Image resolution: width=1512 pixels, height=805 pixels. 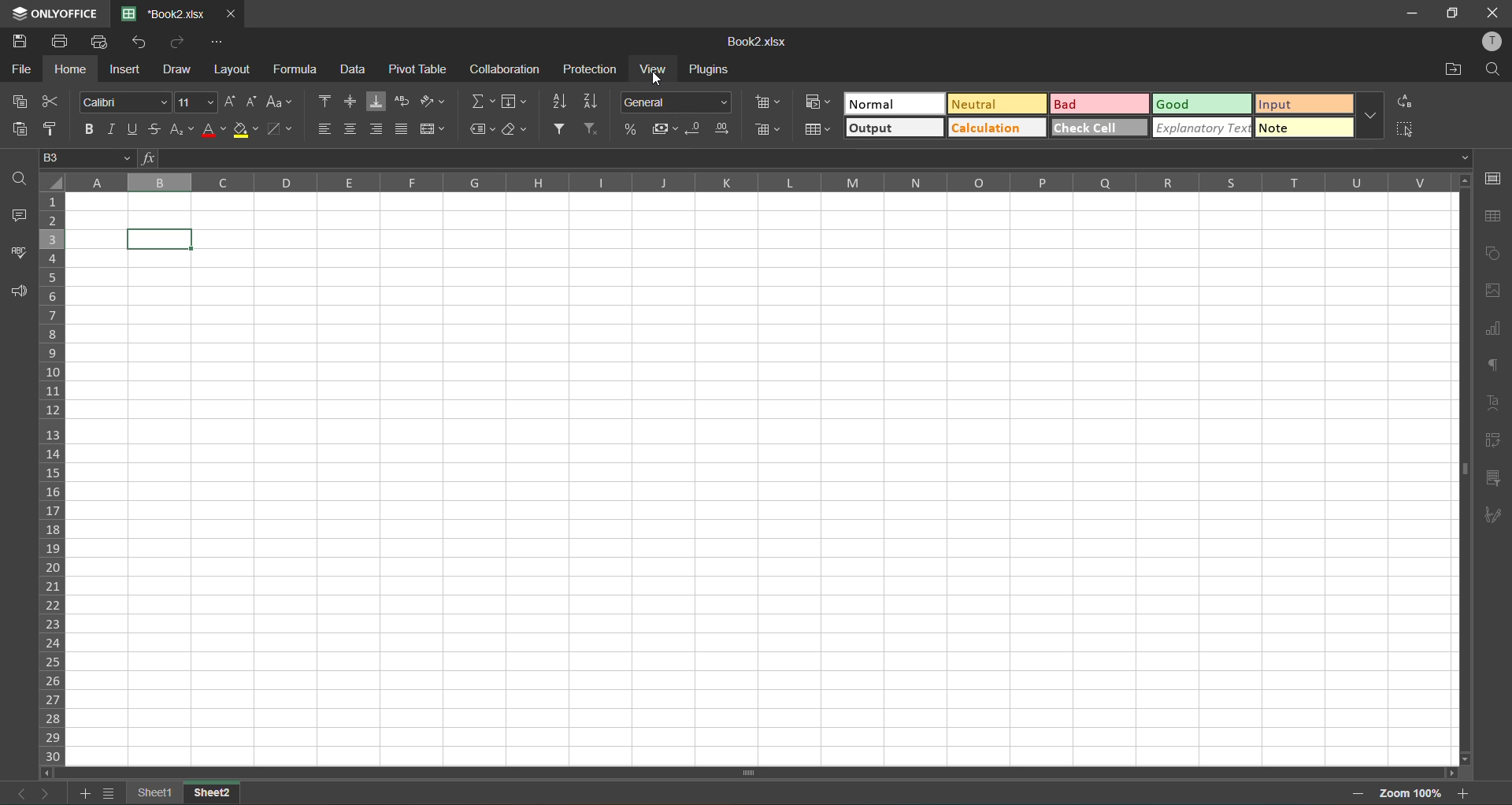 What do you see at coordinates (165, 14) in the screenshot?
I see `book2.xlsx` at bounding box center [165, 14].